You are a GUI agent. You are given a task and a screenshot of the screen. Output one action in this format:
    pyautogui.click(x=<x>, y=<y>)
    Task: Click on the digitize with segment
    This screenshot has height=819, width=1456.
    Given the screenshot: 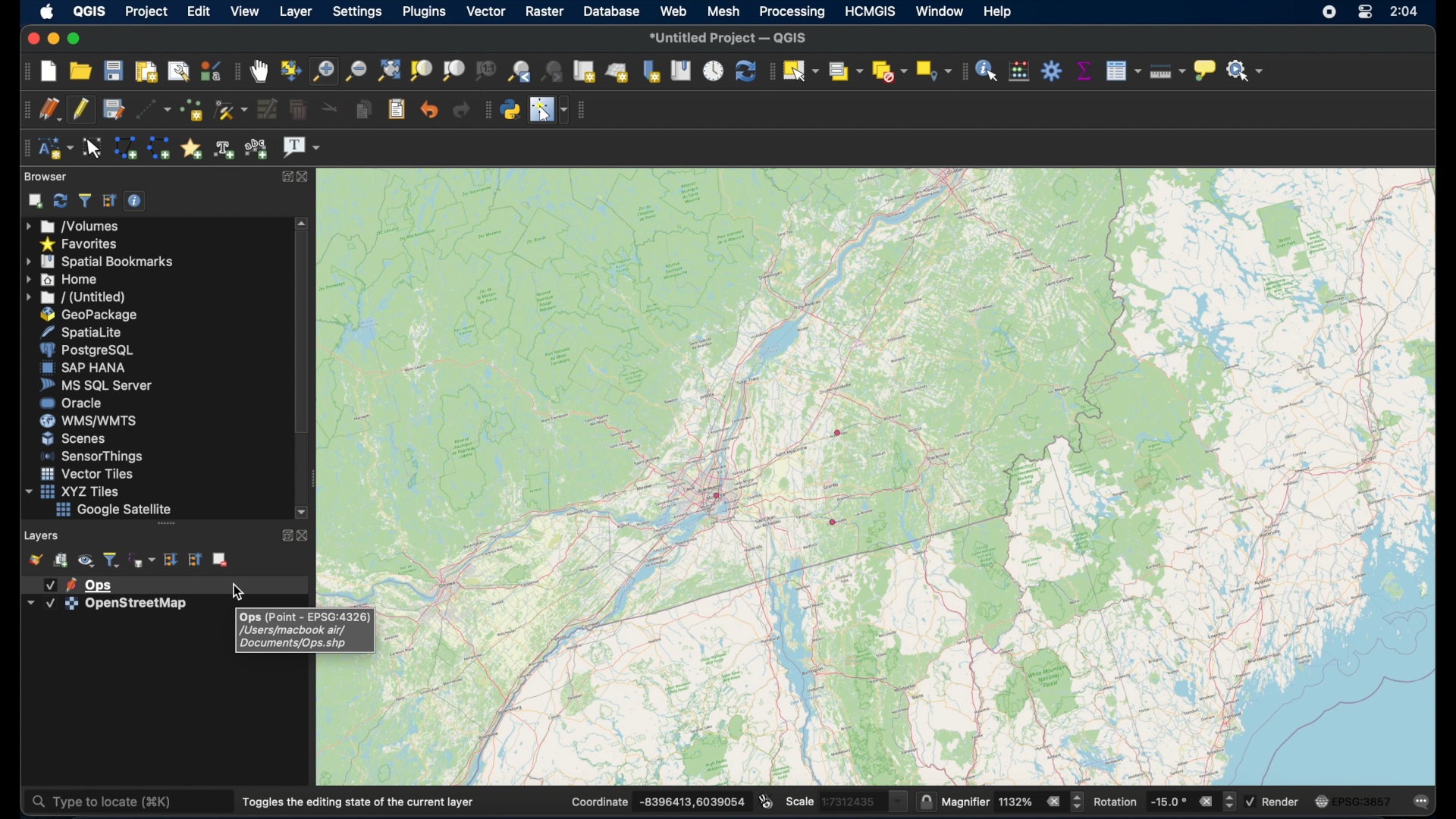 What is the action you would take?
    pyautogui.click(x=149, y=110)
    